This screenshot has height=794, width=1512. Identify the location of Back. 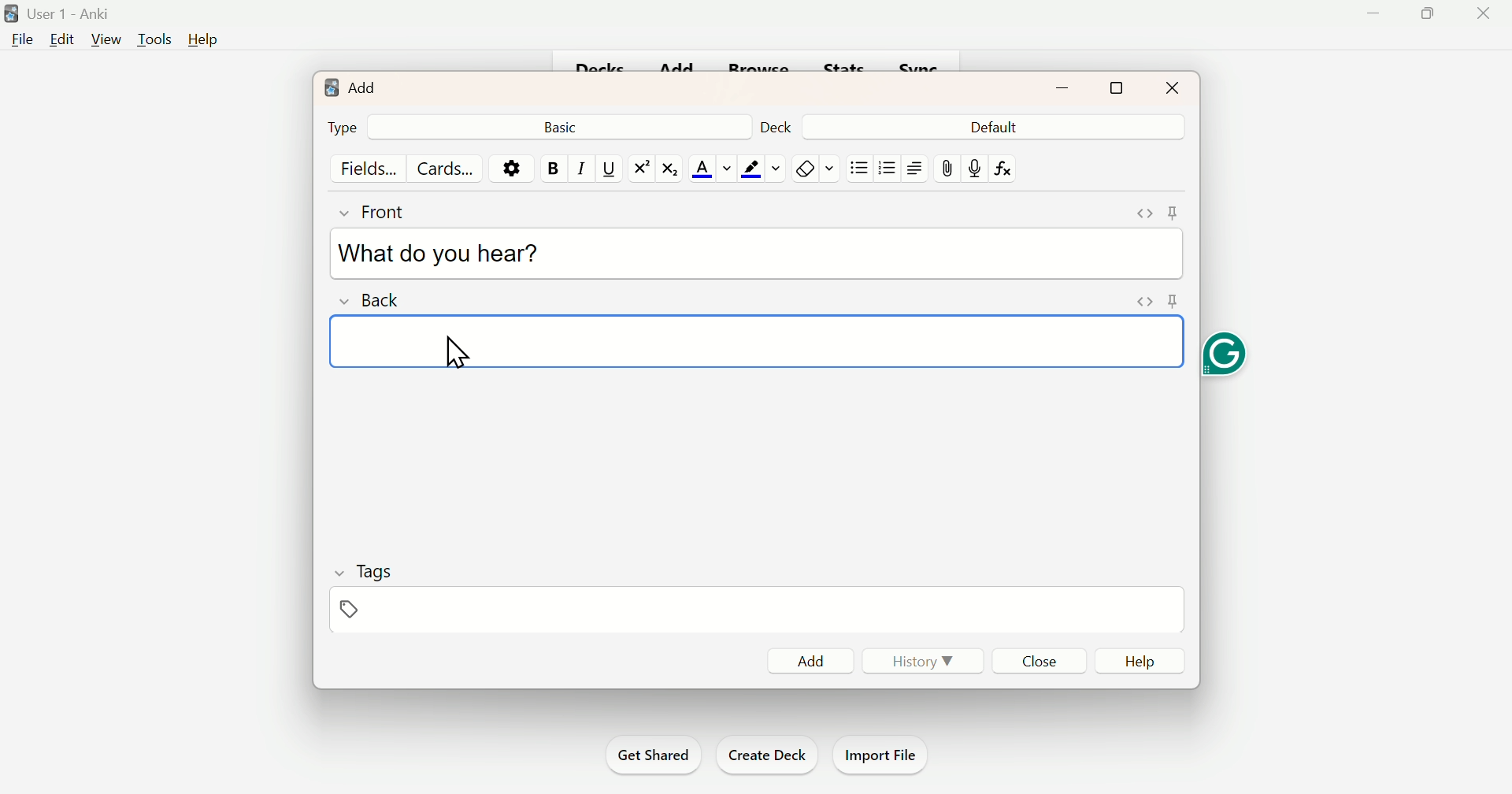
(376, 304).